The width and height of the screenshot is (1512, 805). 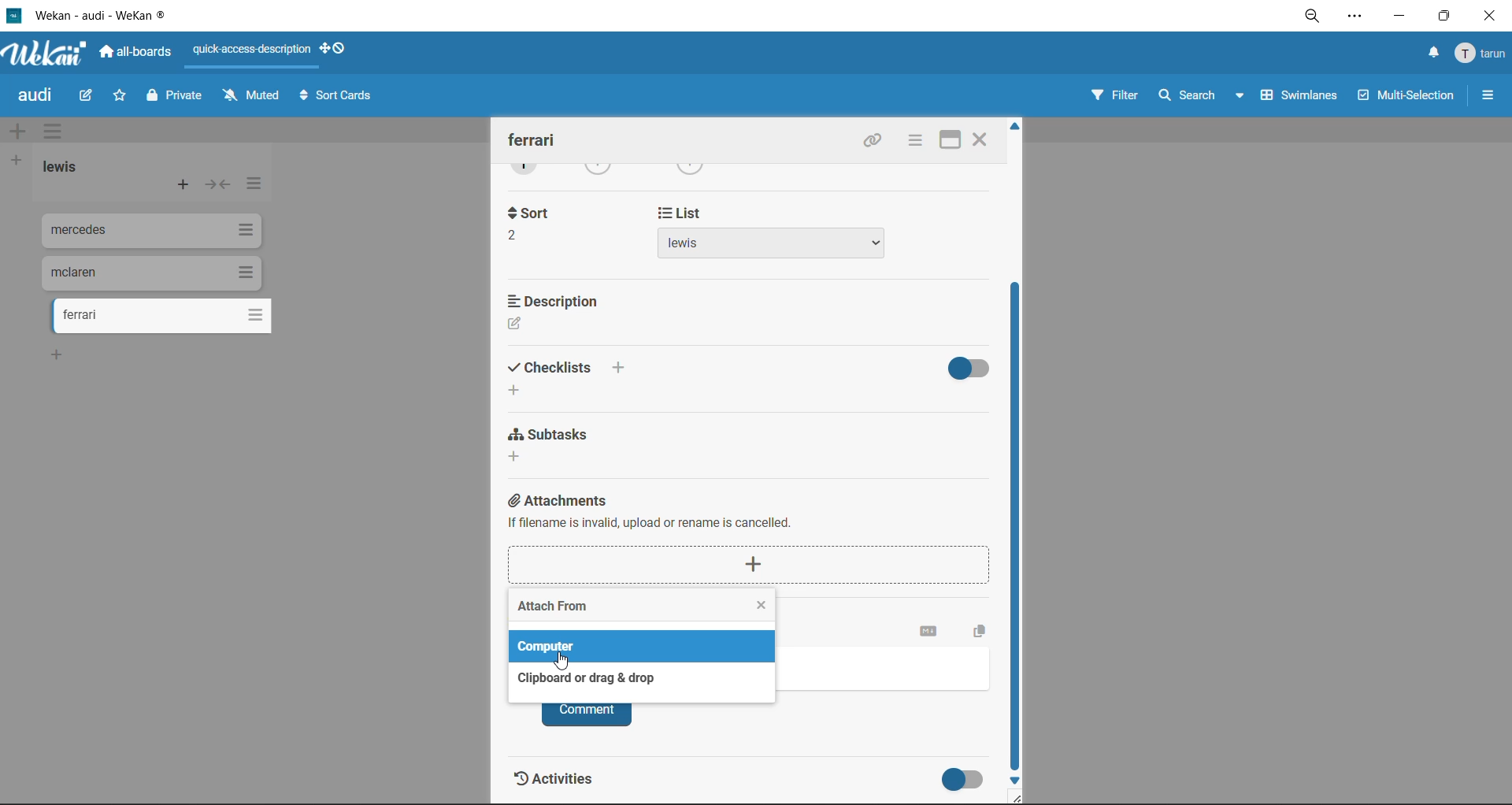 I want to click on hide completed checklist, so click(x=973, y=365).